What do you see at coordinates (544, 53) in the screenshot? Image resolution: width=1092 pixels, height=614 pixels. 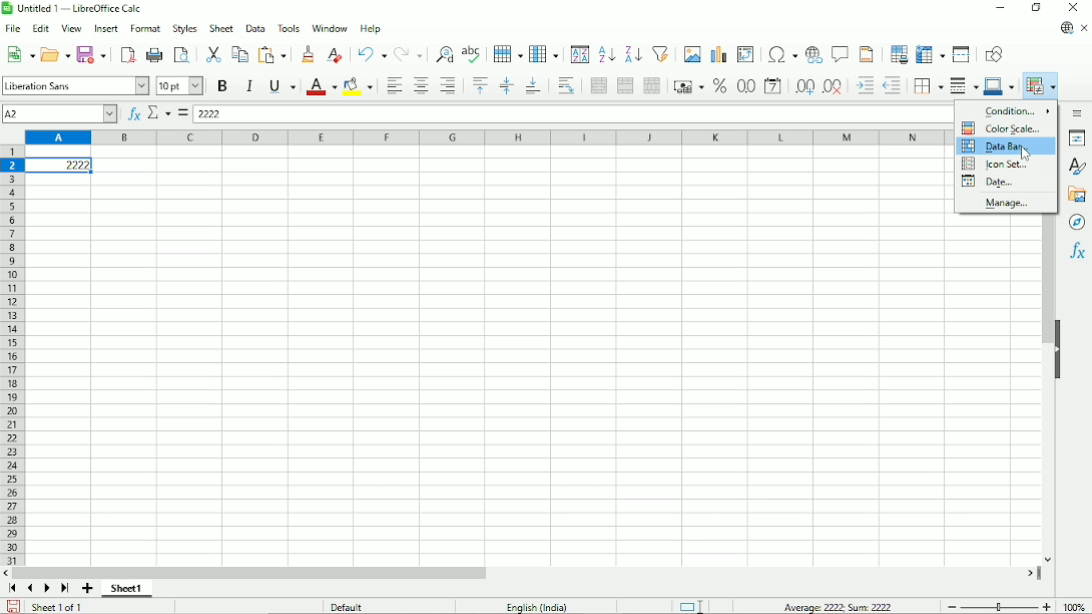 I see `Column` at bounding box center [544, 53].